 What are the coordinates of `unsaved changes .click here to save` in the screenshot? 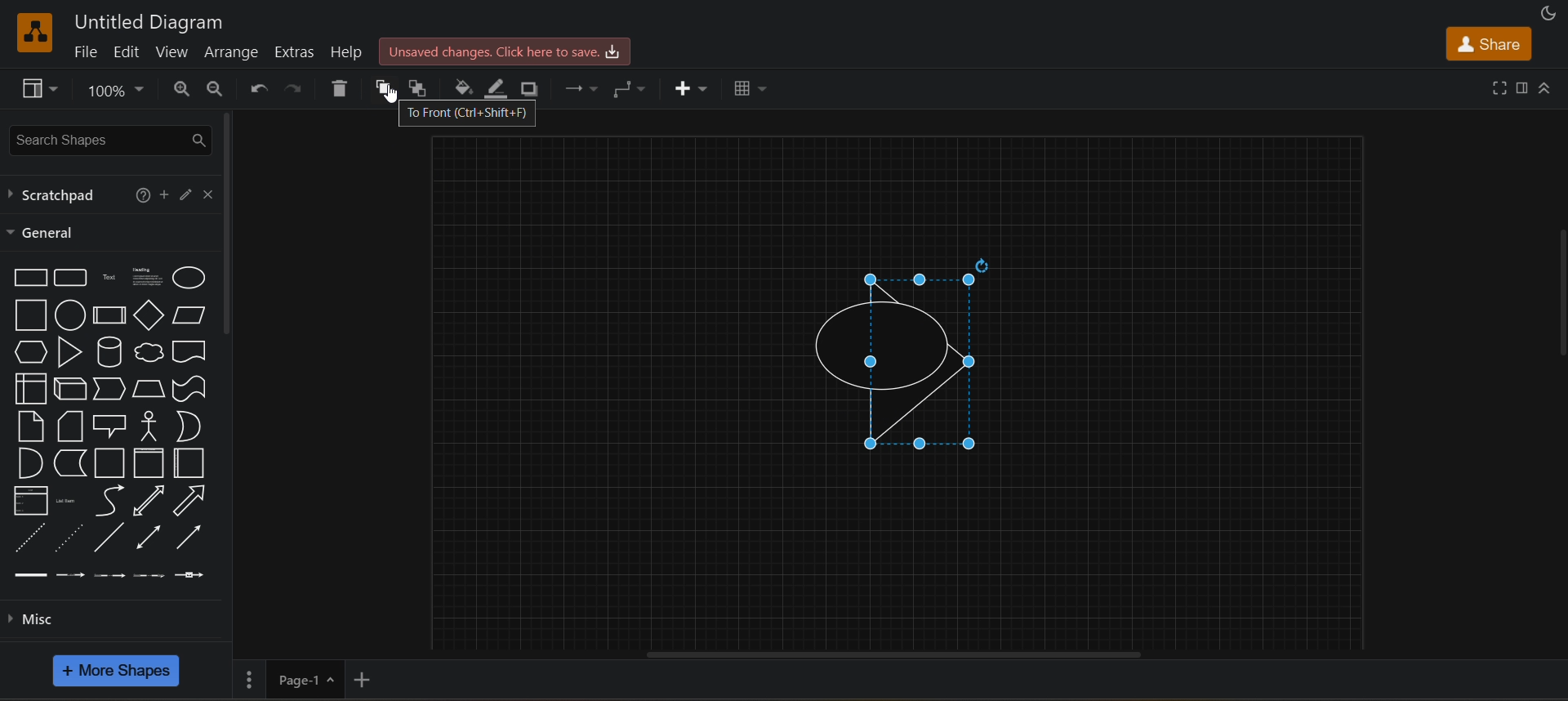 It's located at (505, 49).